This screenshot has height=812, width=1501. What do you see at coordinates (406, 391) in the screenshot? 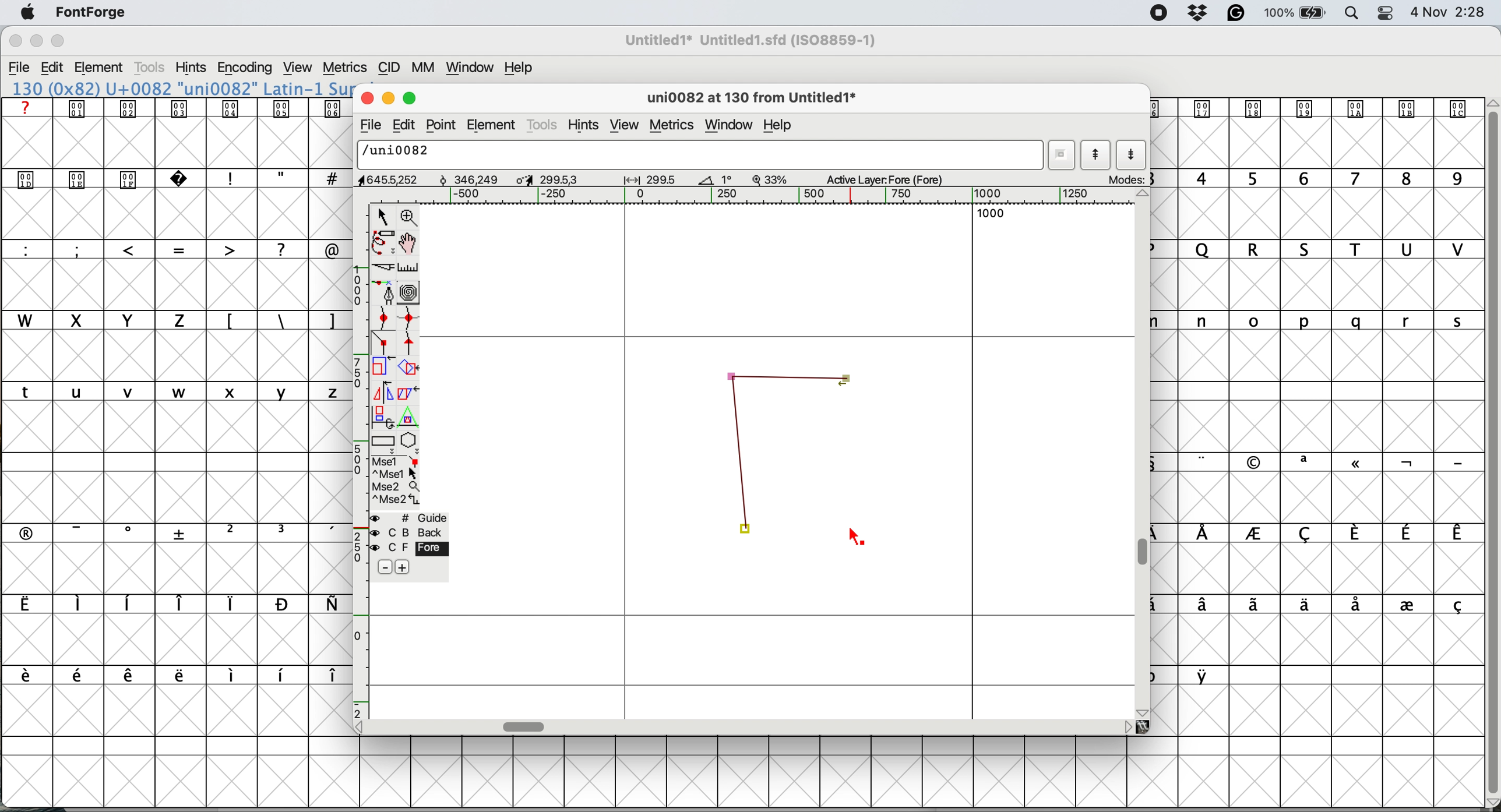
I see `skew the selection` at bounding box center [406, 391].